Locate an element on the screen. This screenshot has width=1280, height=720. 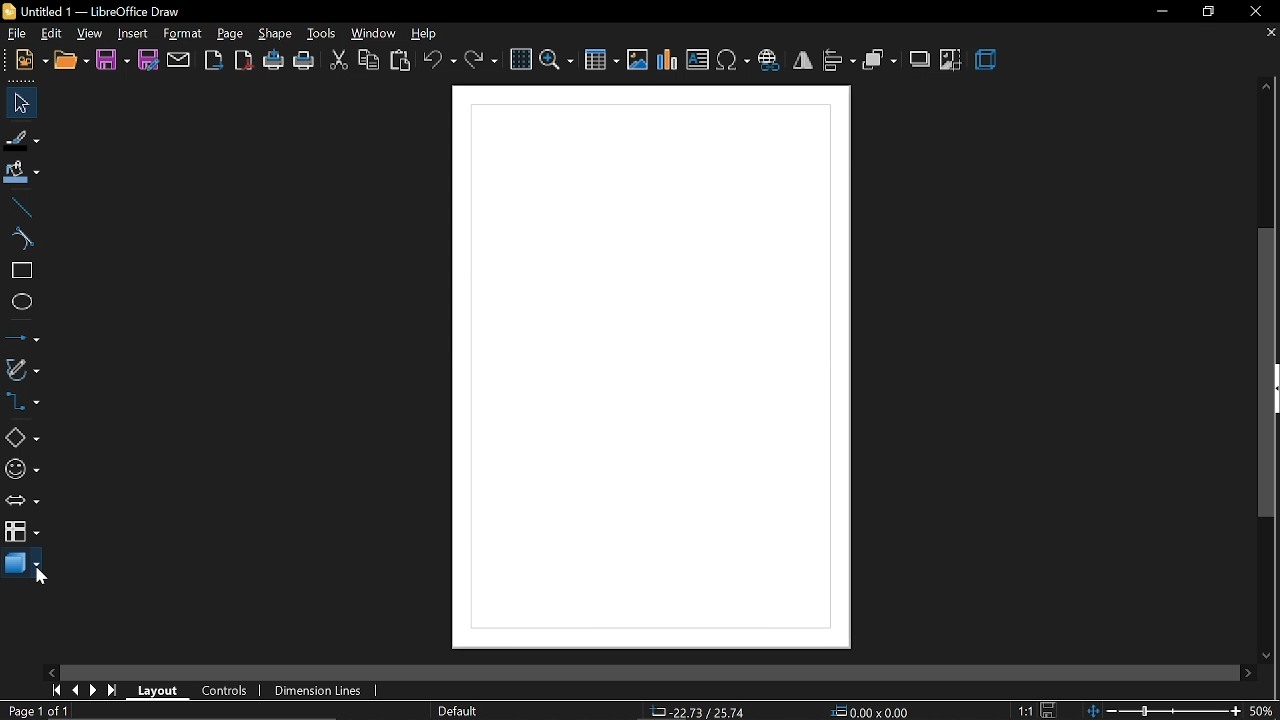
edit is located at coordinates (52, 35).